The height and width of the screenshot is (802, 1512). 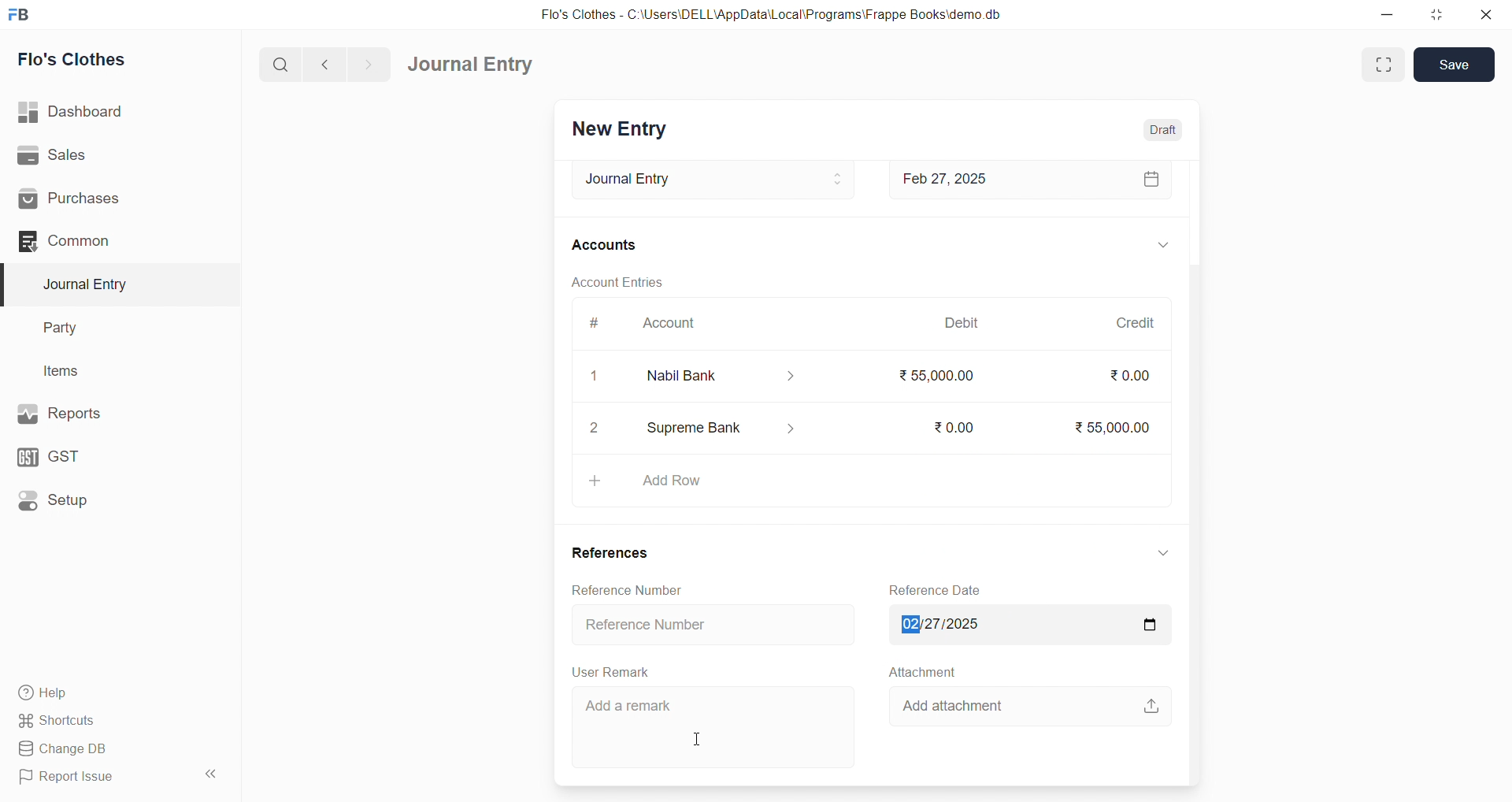 What do you see at coordinates (606, 247) in the screenshot?
I see `Accounts` at bounding box center [606, 247].